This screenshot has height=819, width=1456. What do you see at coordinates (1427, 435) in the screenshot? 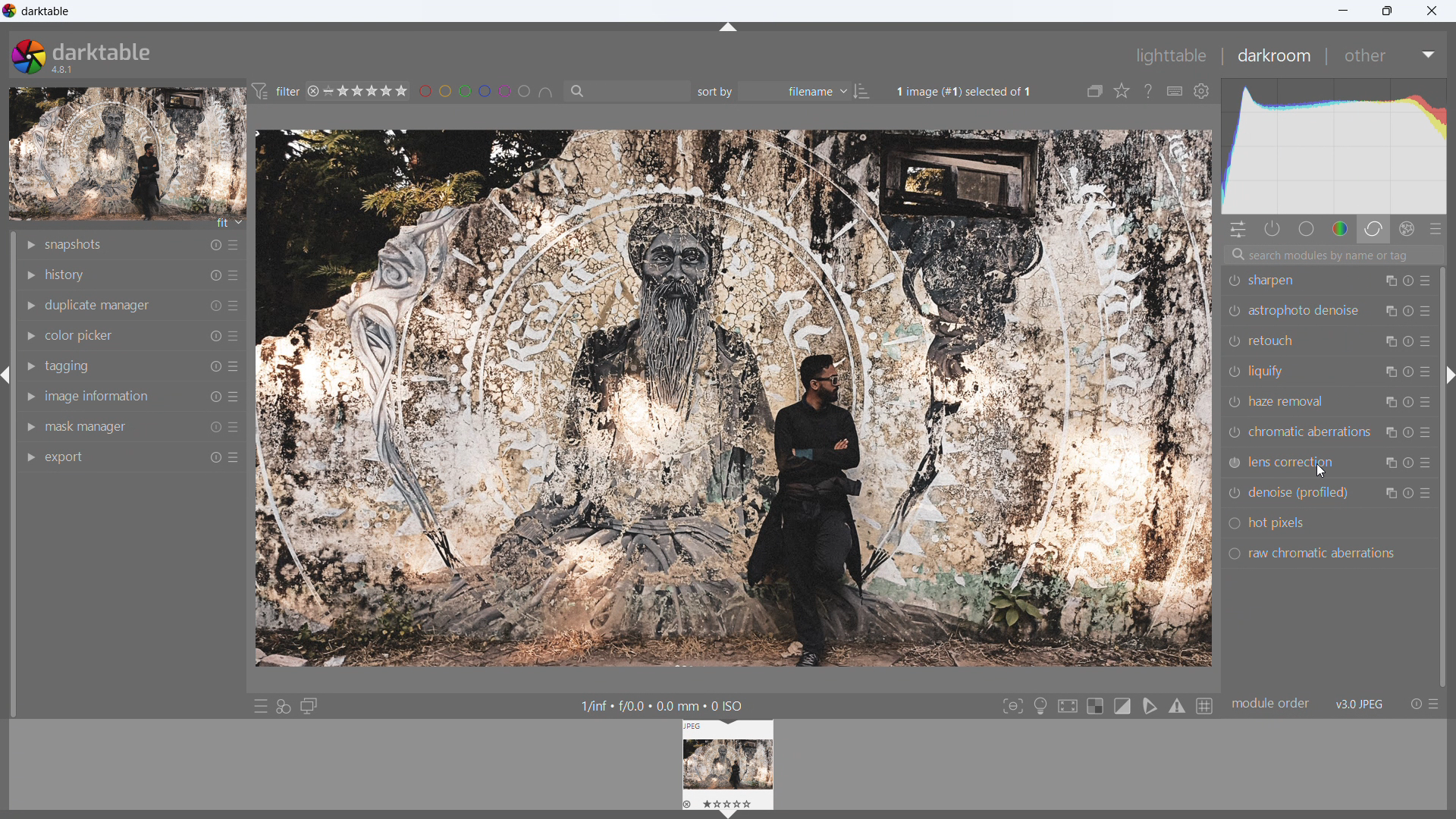
I see `presets` at bounding box center [1427, 435].